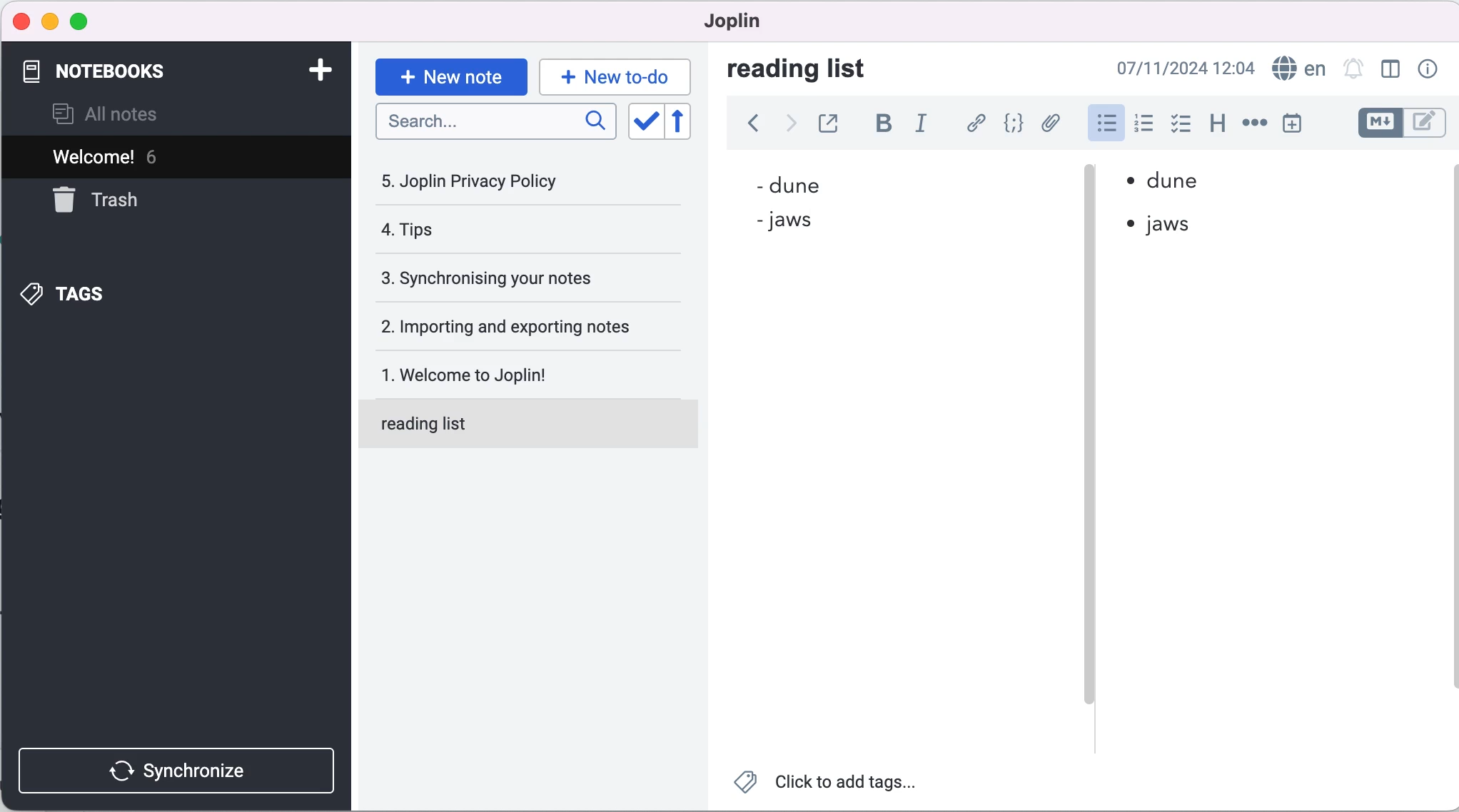 This screenshot has width=1459, height=812. Describe the element at coordinates (1291, 126) in the screenshot. I see `insert time` at that location.